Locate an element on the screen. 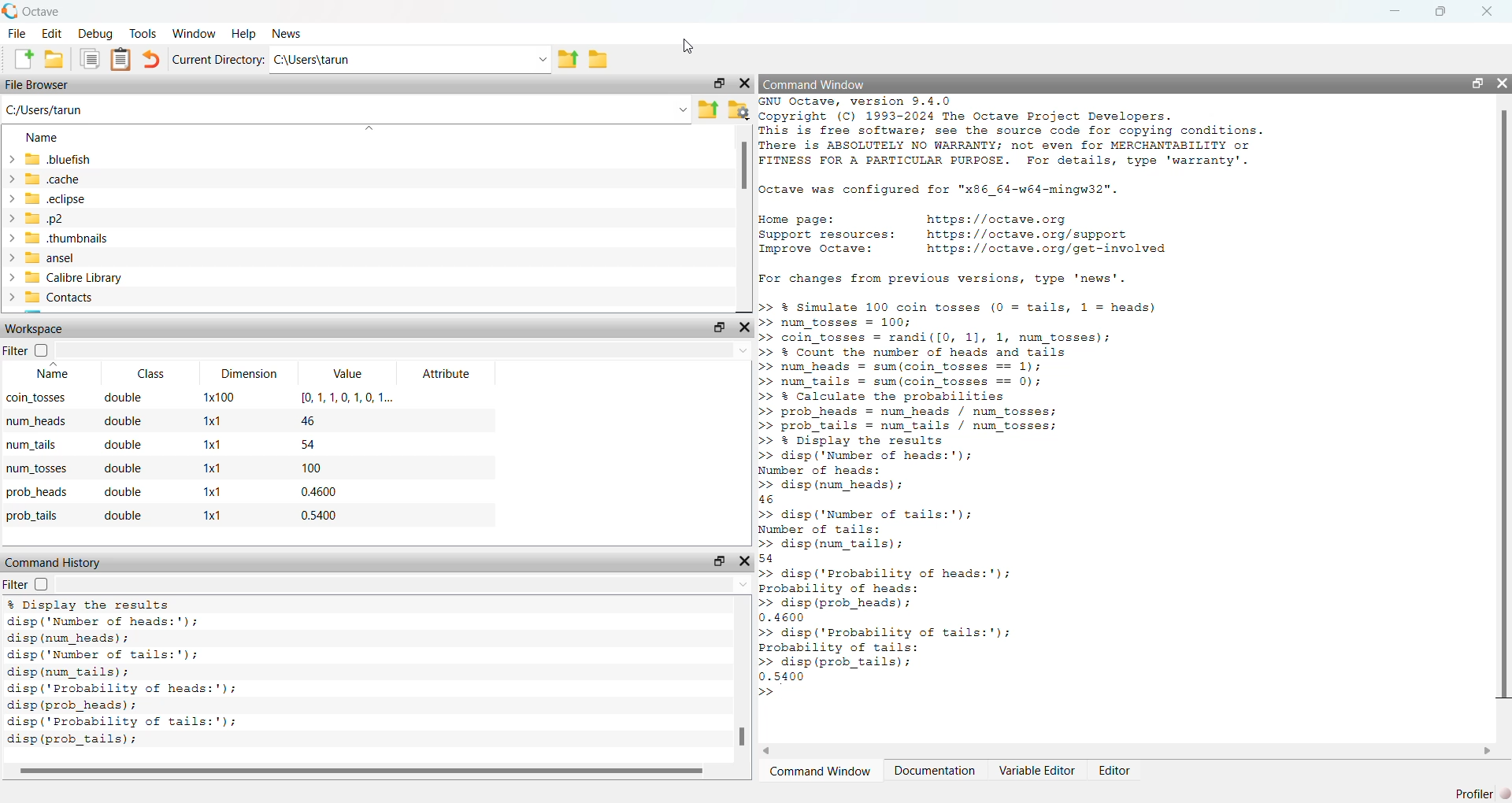 Image resolution: width=1512 pixels, height=803 pixels. .bluefish is located at coordinates (56, 158).